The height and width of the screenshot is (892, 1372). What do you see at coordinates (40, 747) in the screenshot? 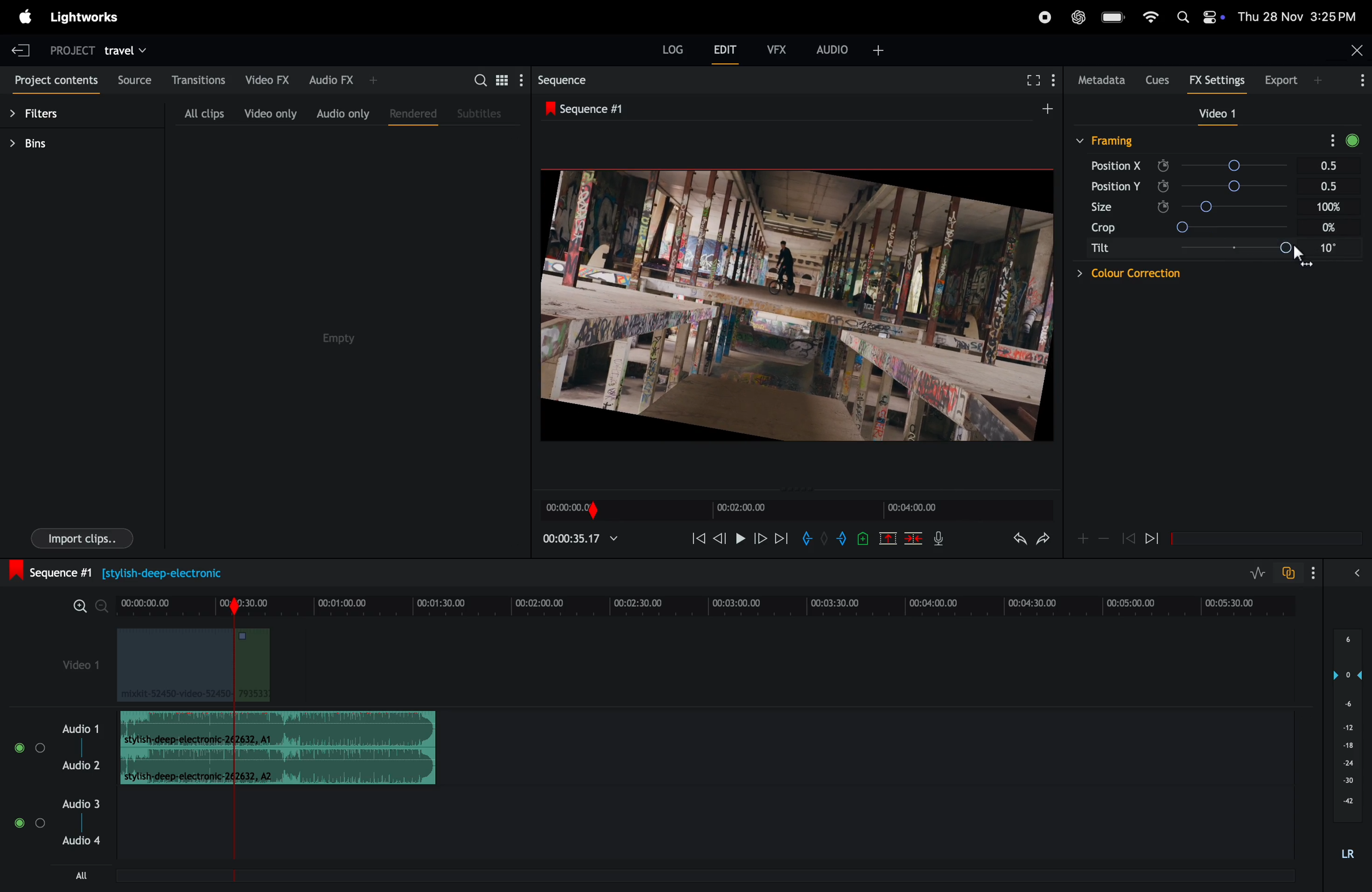
I see `solo track` at bounding box center [40, 747].